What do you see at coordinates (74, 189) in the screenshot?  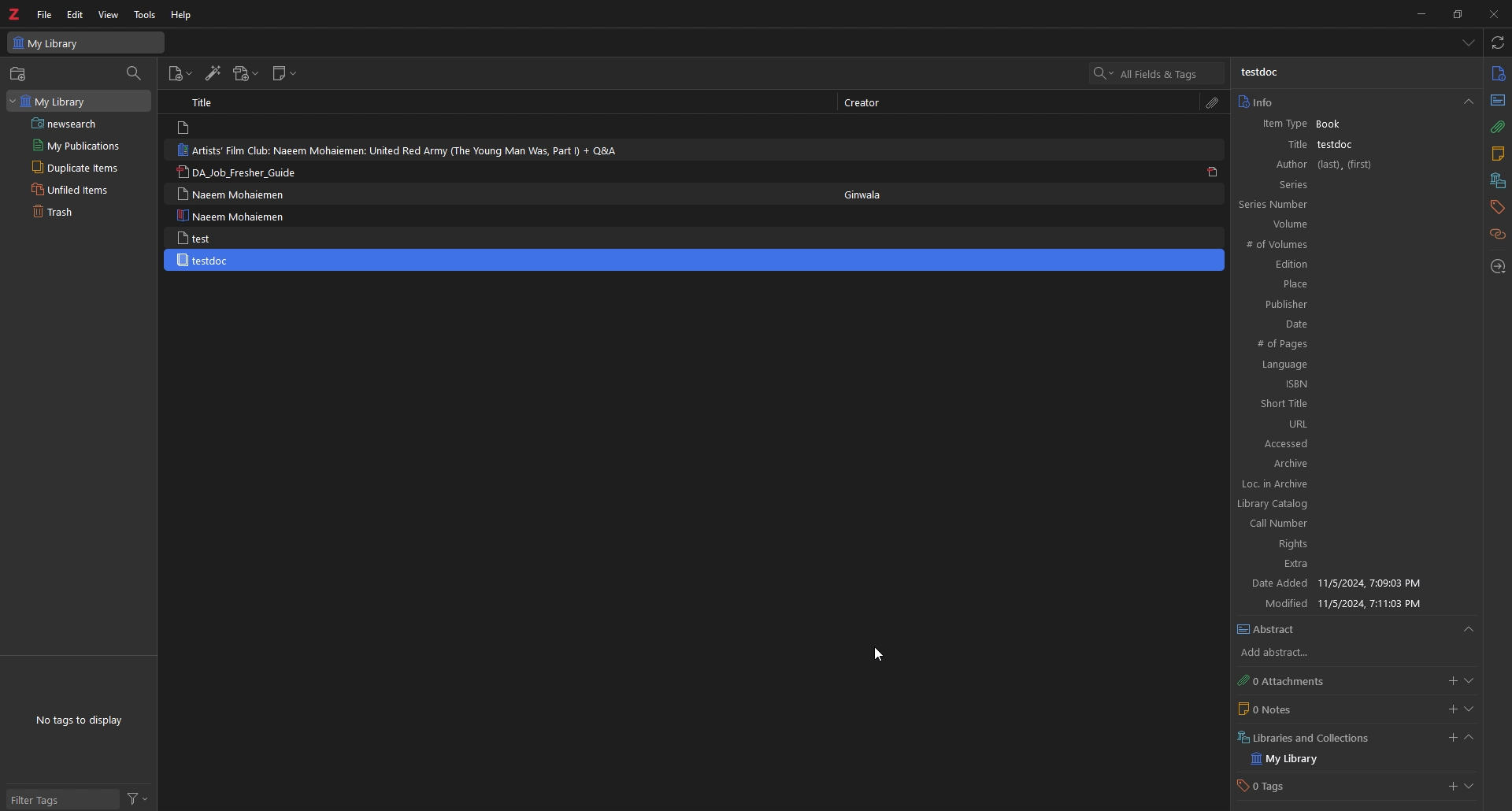 I see `unfiled items` at bounding box center [74, 189].